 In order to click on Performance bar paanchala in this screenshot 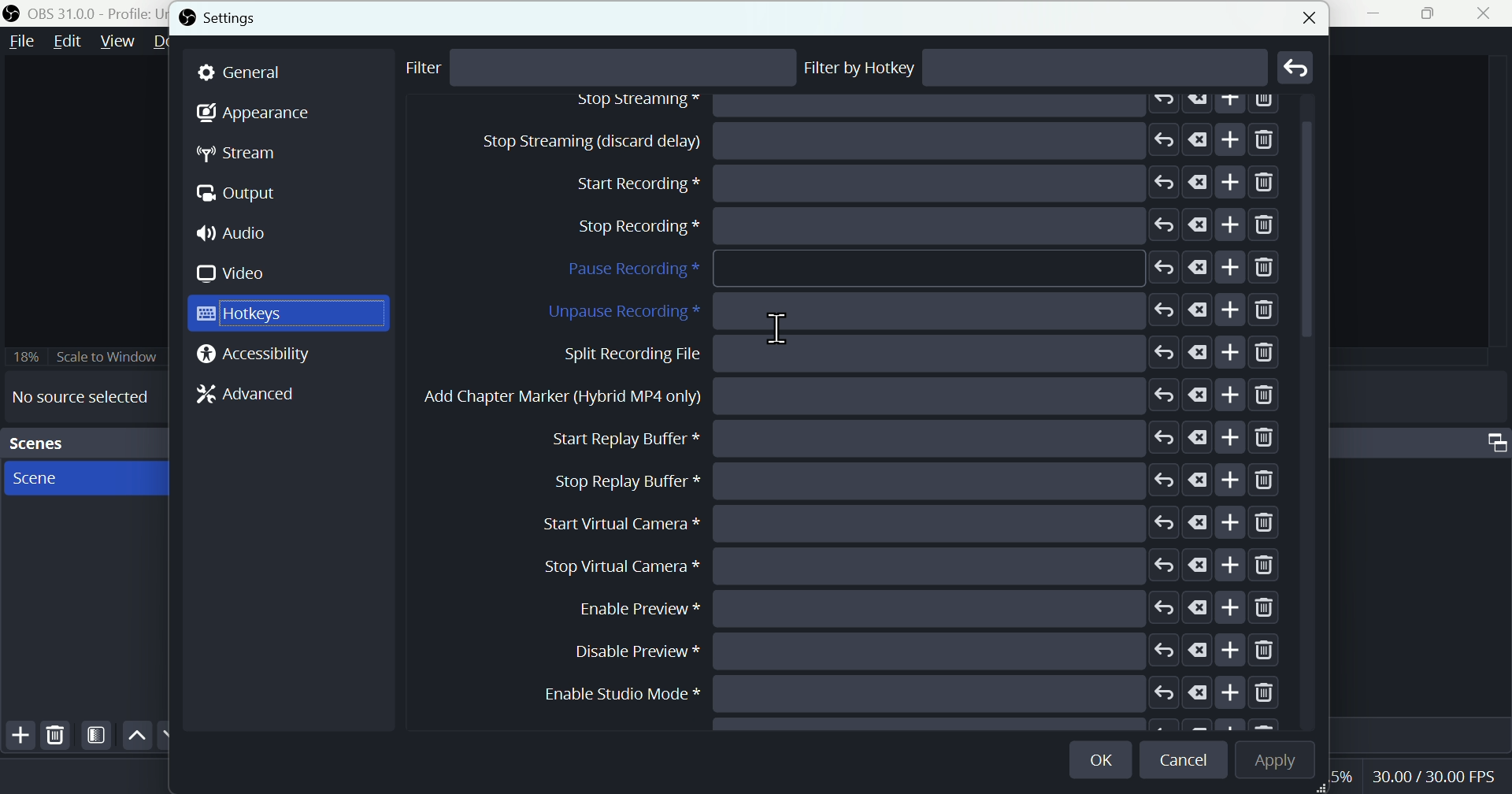, I will do `click(1436, 779)`.